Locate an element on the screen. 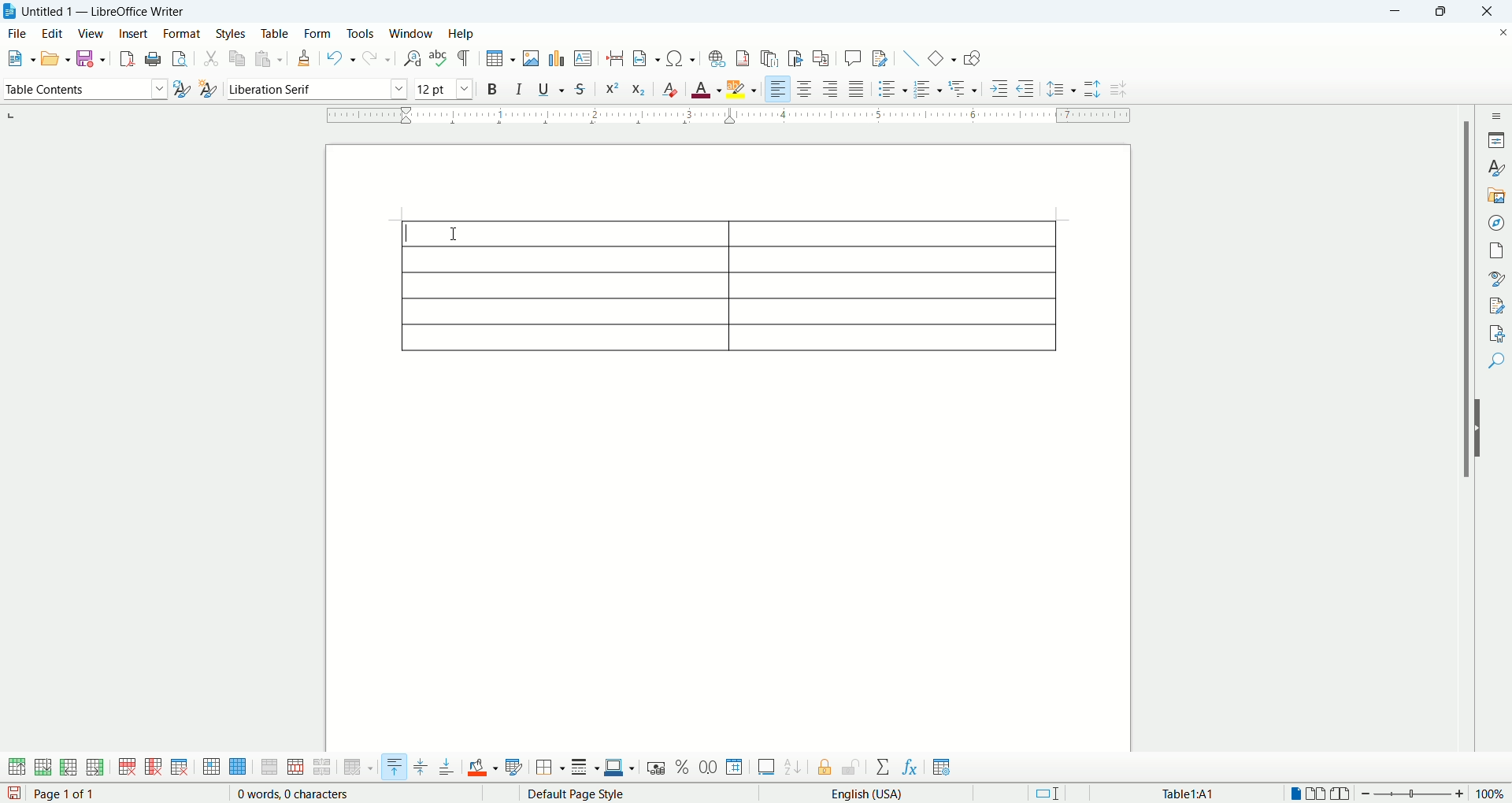 This screenshot has height=803, width=1512. export as pdf is located at coordinates (125, 59).